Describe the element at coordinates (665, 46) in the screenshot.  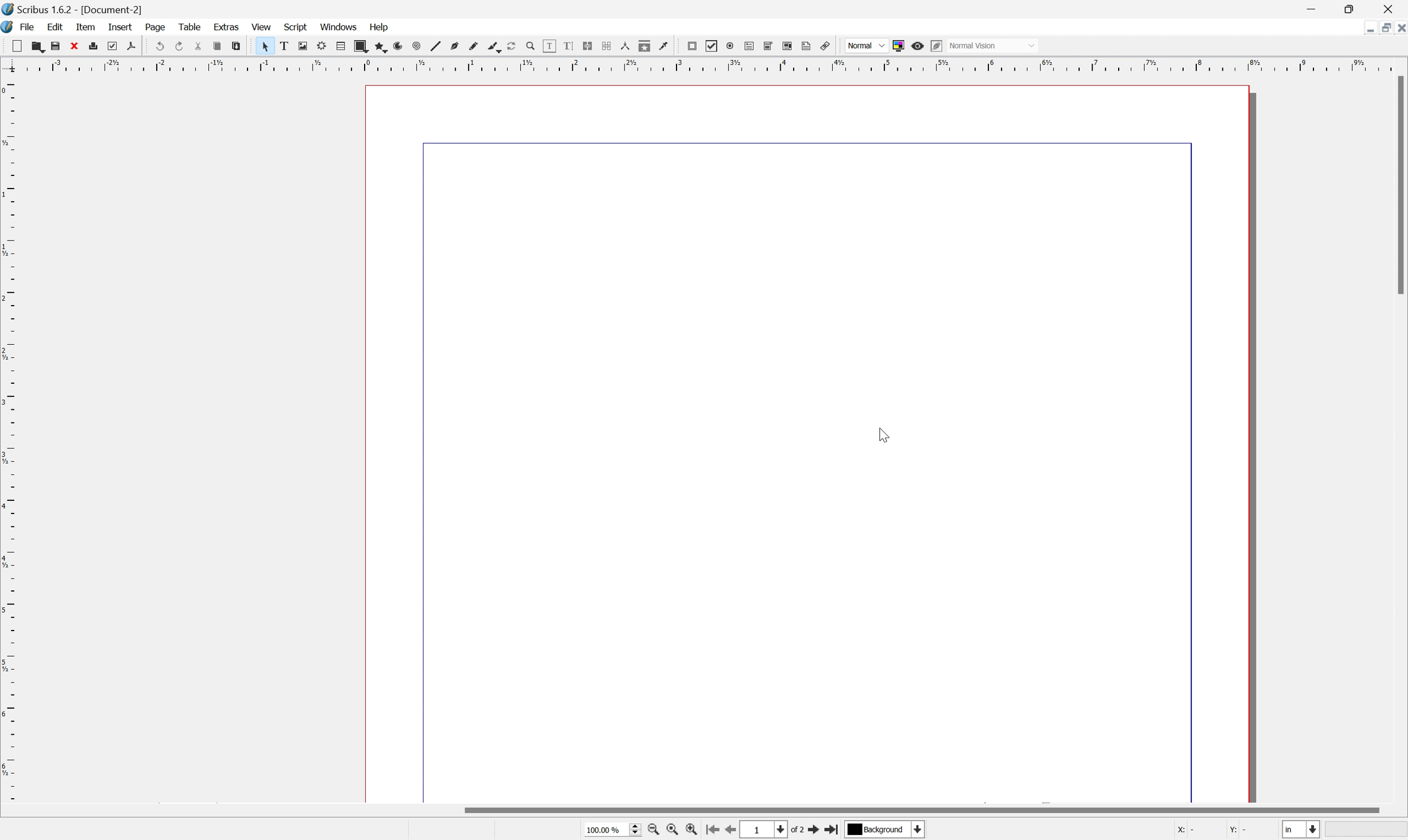
I see `Eye dropper` at that location.